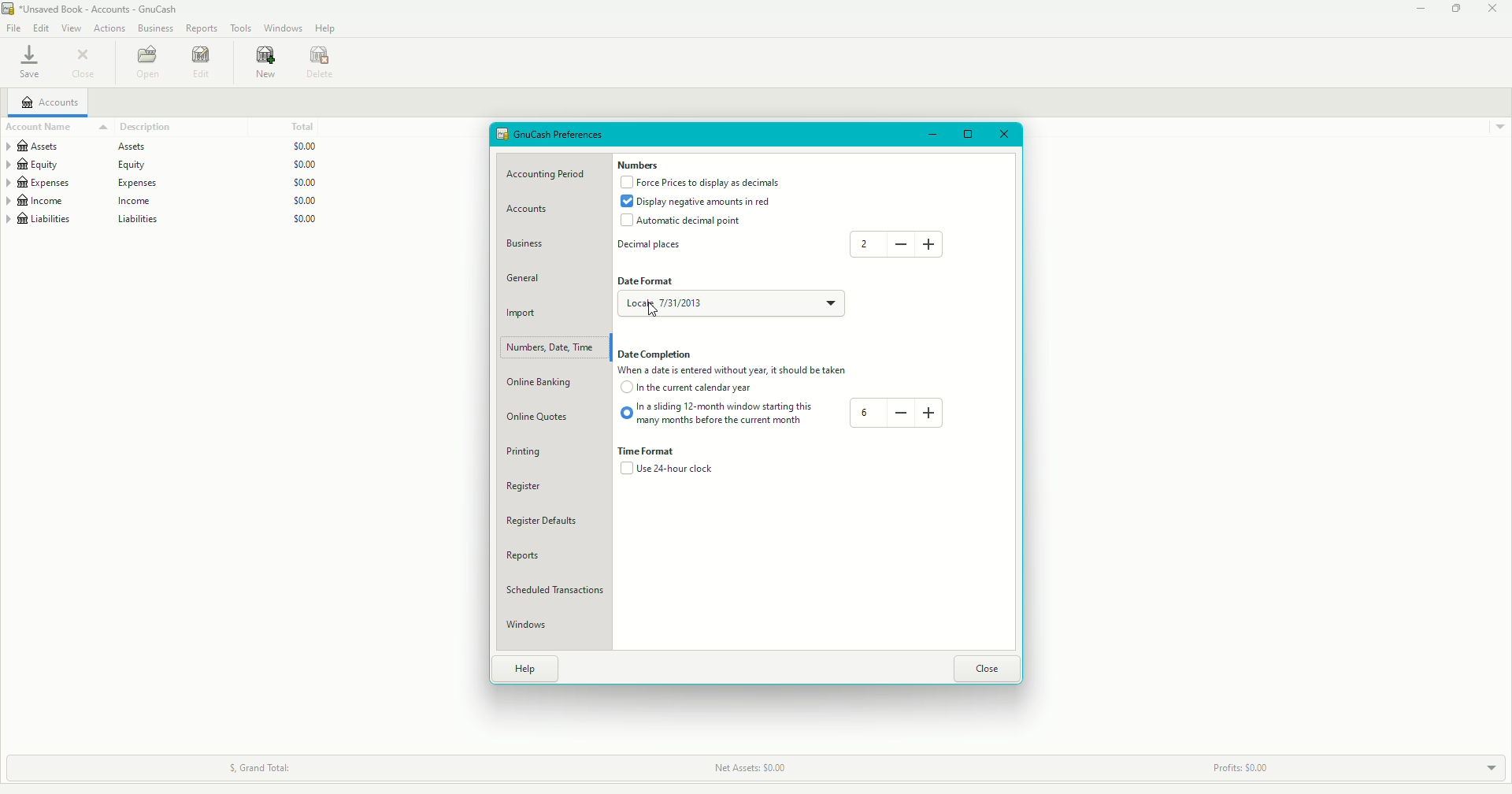  I want to click on Online Banking, so click(549, 383).